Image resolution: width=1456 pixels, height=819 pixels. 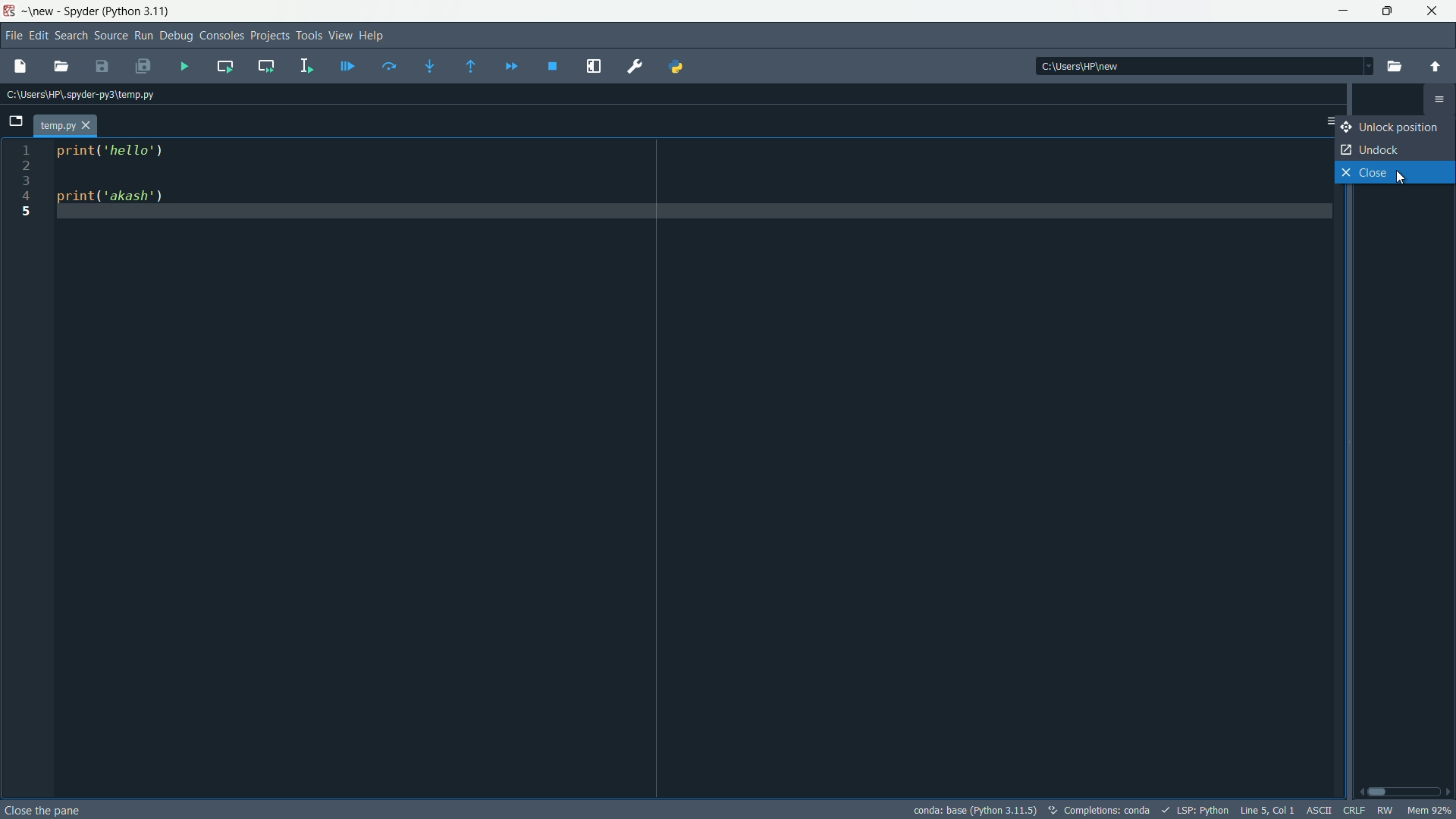 What do you see at coordinates (551, 65) in the screenshot?
I see `stop debugging` at bounding box center [551, 65].